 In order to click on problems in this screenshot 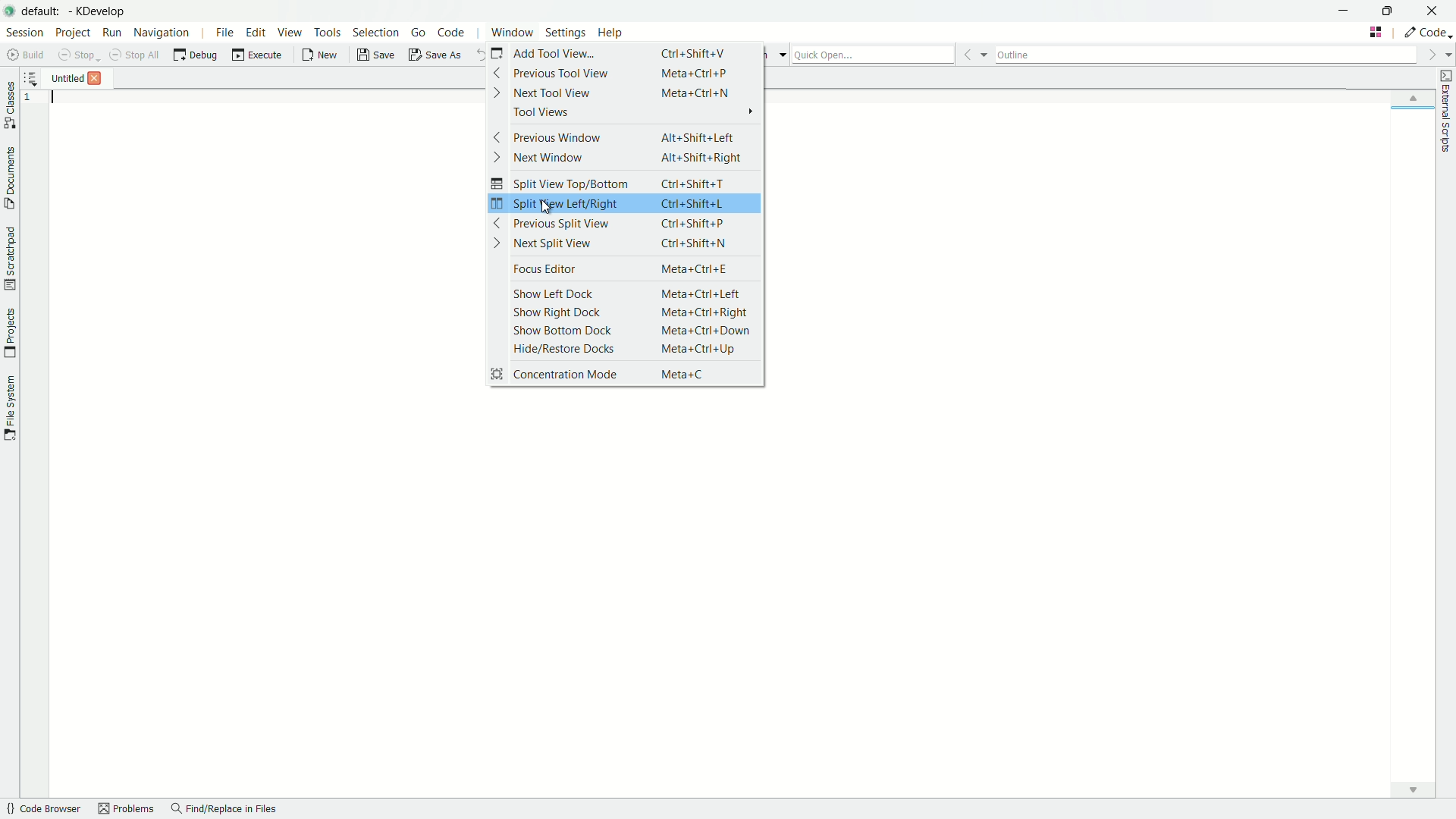, I will do `click(124, 810)`.